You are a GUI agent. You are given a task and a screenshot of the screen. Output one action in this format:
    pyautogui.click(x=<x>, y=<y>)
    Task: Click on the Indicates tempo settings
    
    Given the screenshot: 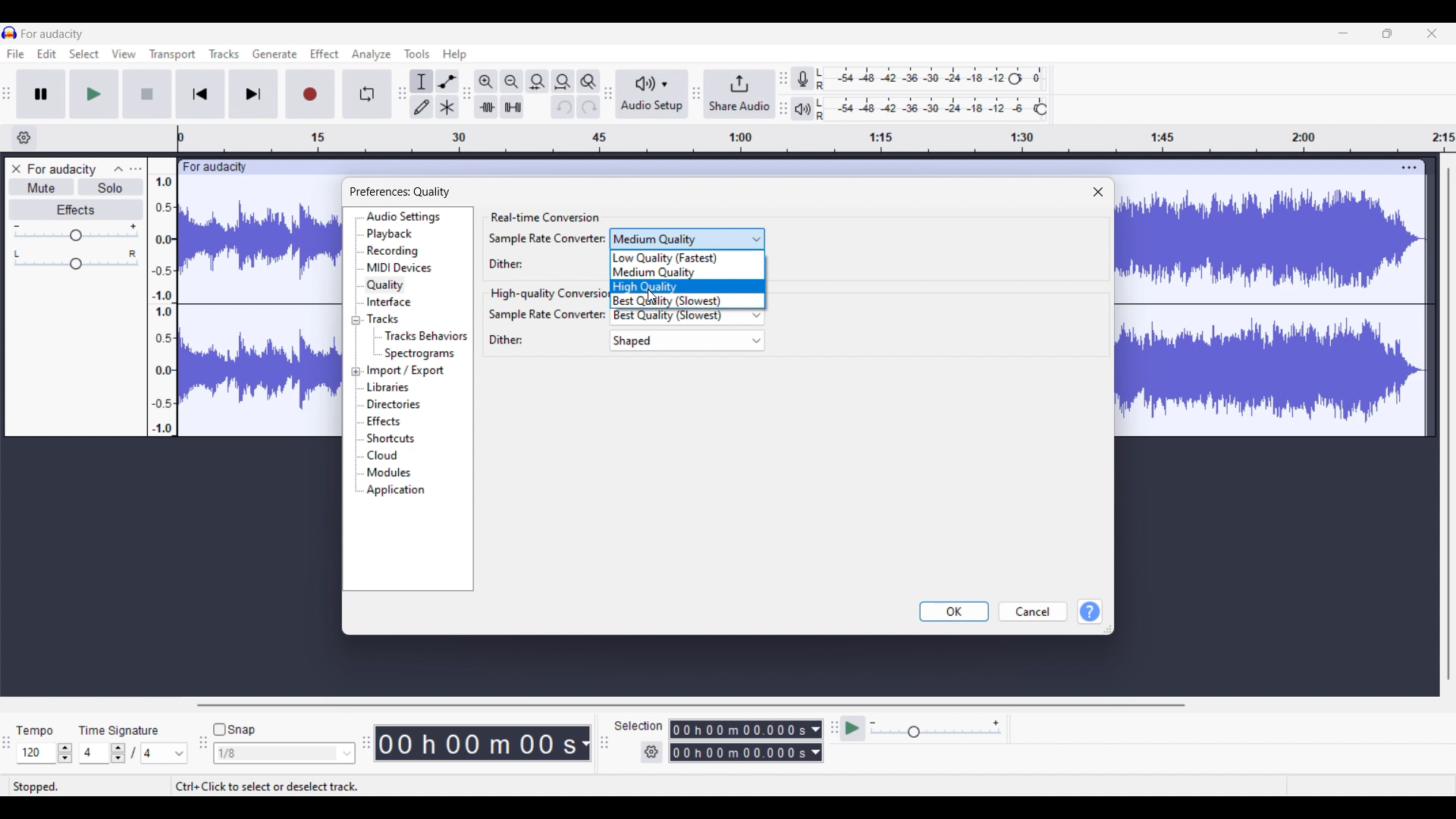 What is the action you would take?
    pyautogui.click(x=35, y=731)
    